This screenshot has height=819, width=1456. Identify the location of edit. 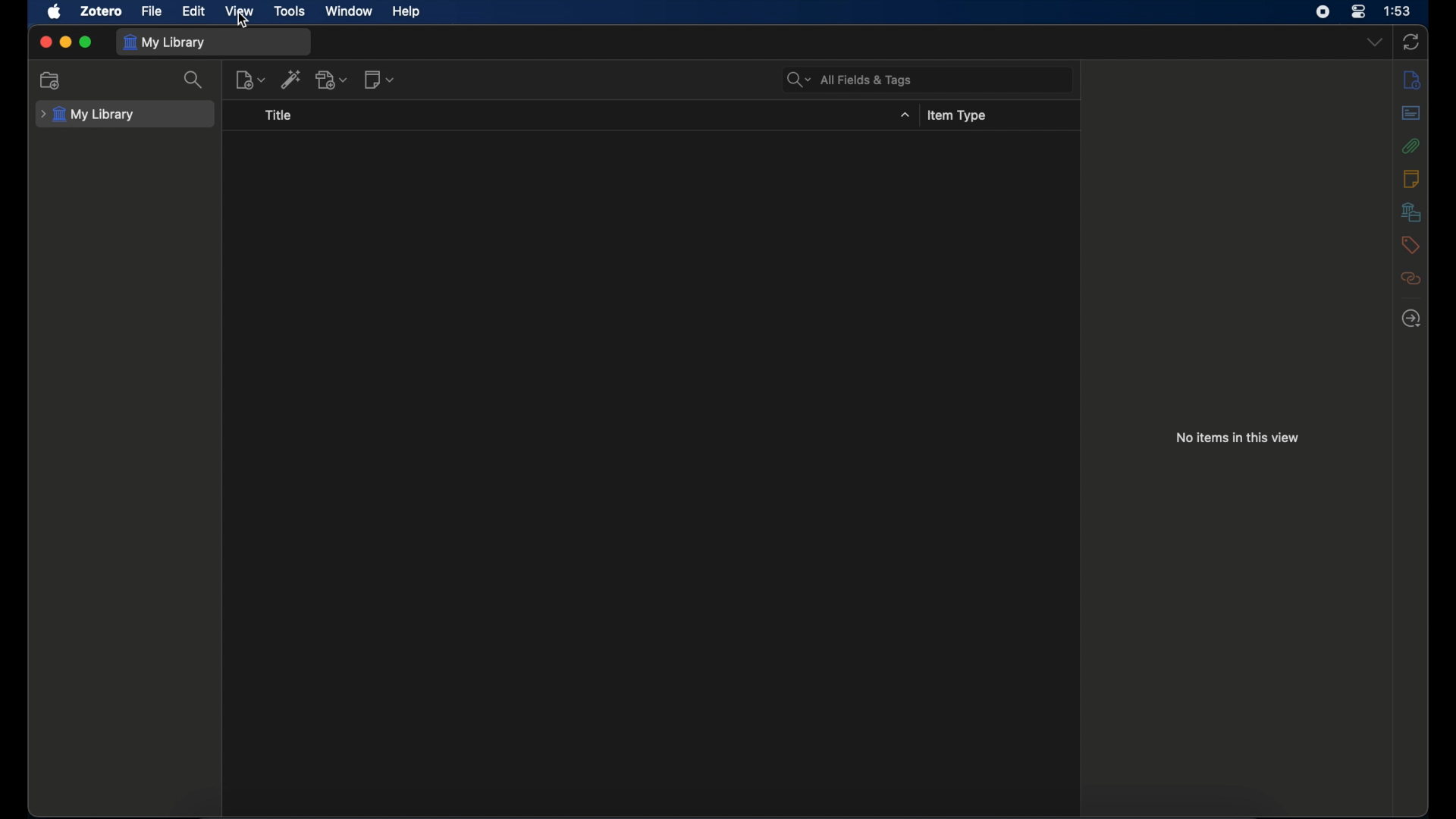
(194, 11).